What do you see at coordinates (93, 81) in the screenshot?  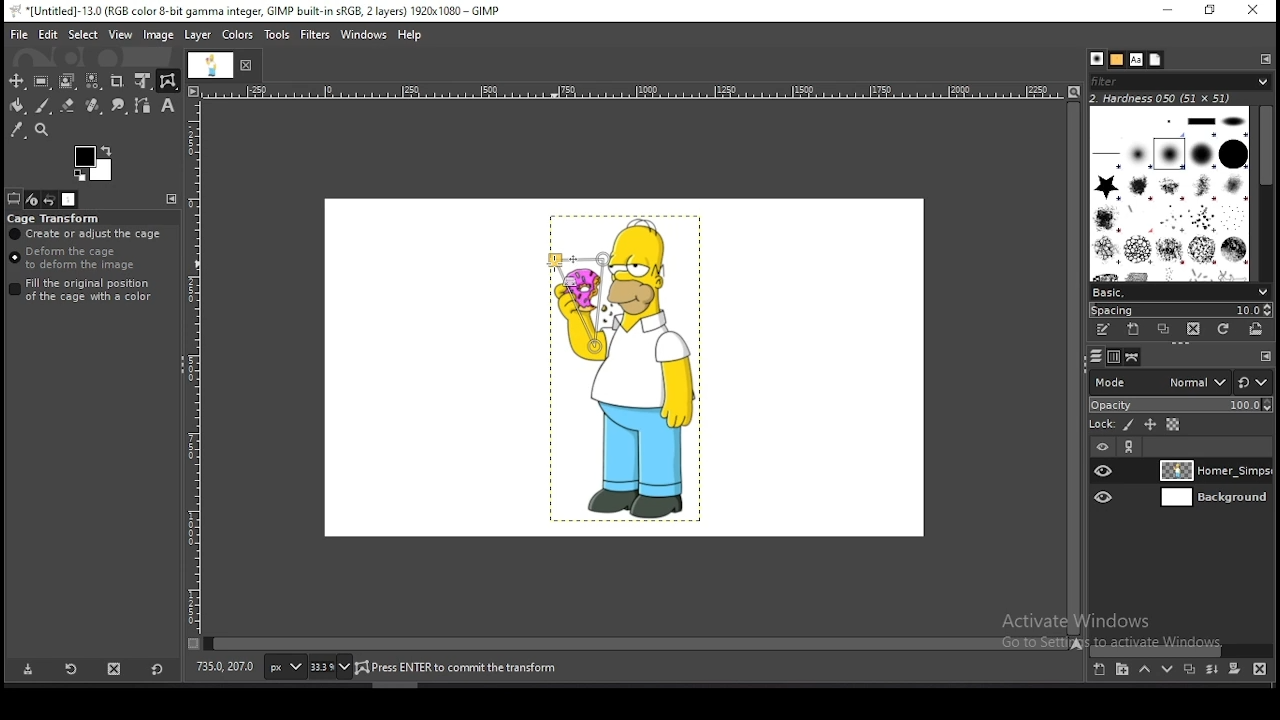 I see `select by color tool` at bounding box center [93, 81].